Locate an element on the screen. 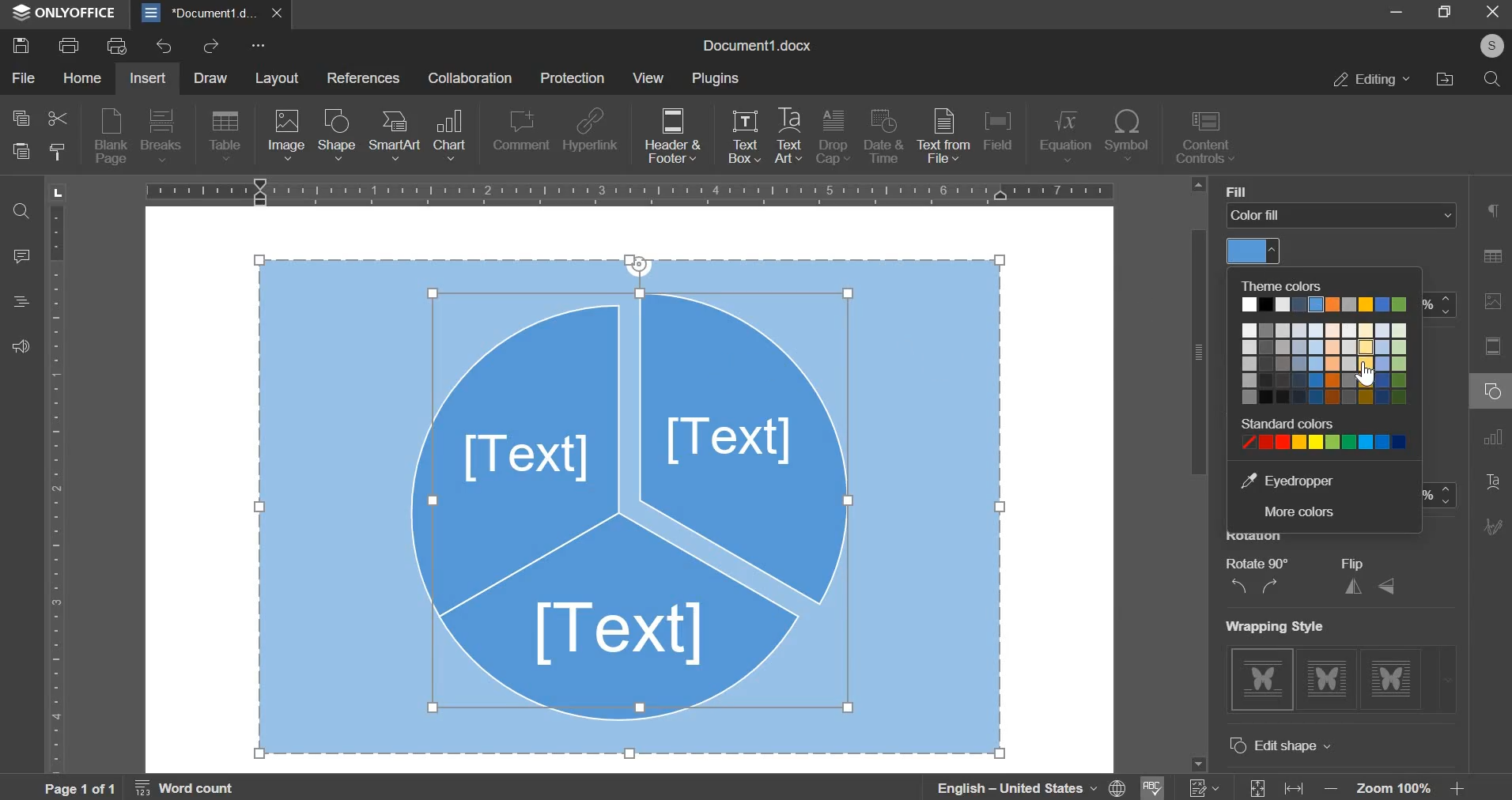  redo is located at coordinates (214, 46).